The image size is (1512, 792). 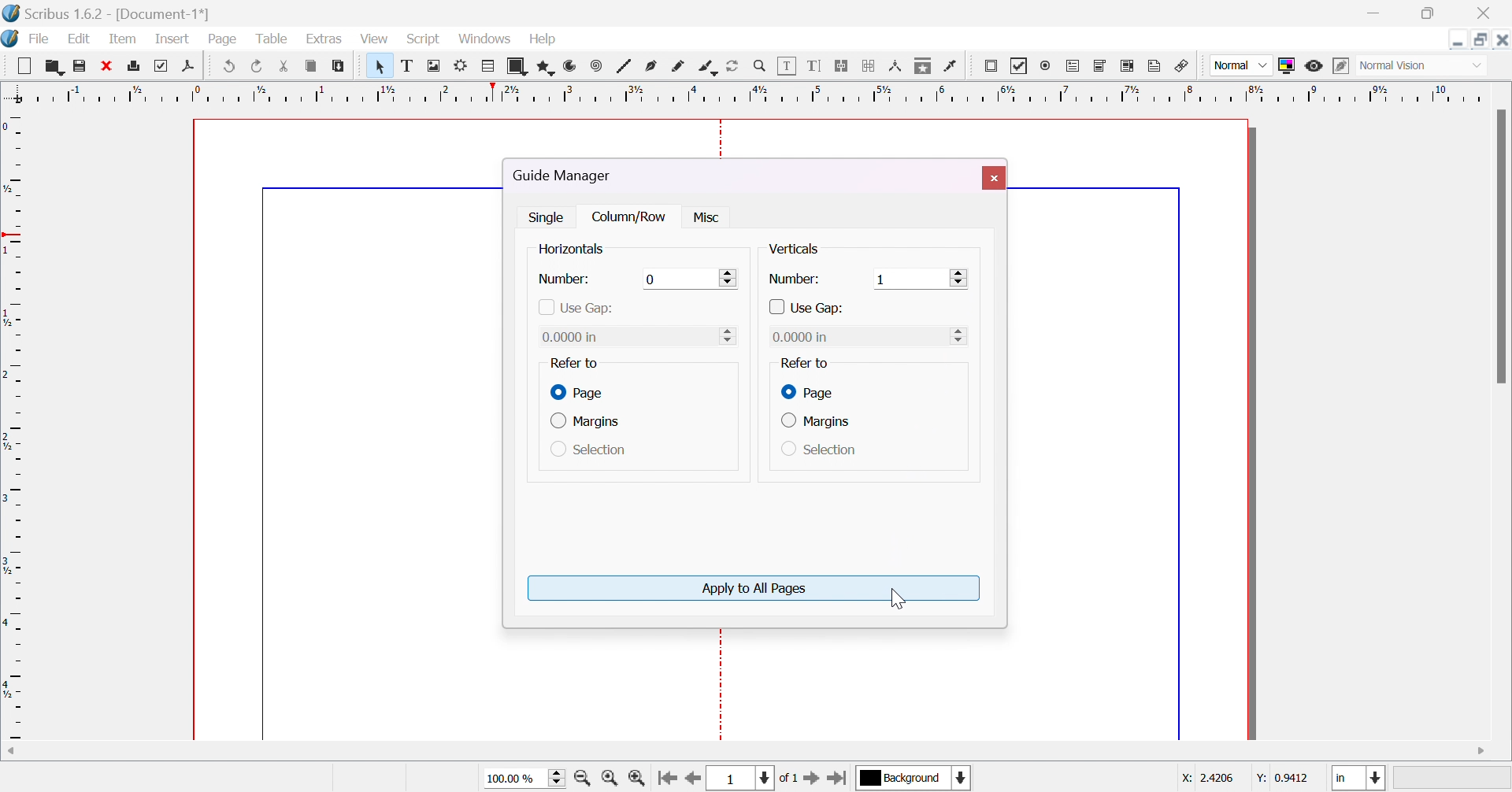 I want to click on text annotation, so click(x=1158, y=67).